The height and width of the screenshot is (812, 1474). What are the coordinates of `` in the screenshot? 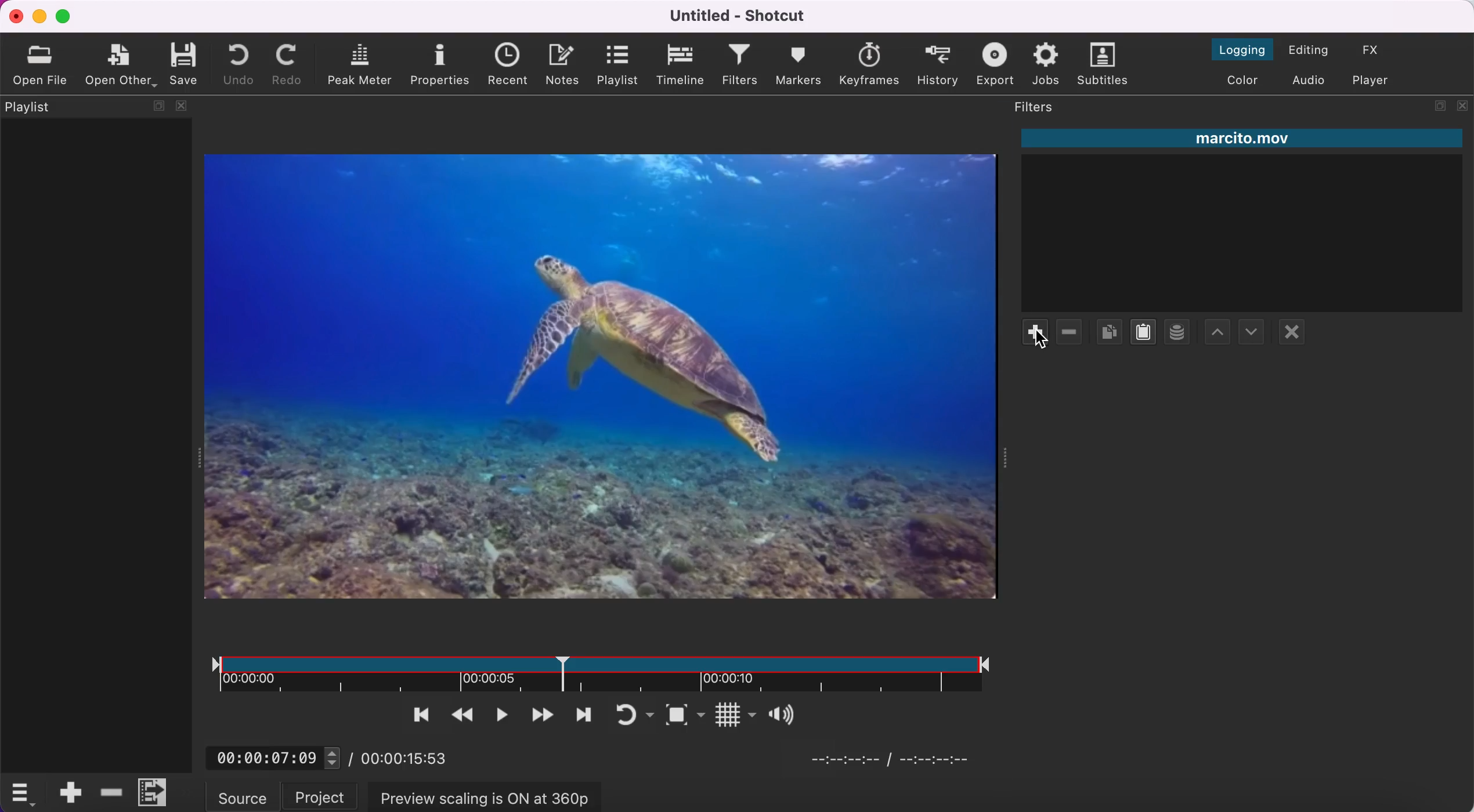 It's located at (718, 713).